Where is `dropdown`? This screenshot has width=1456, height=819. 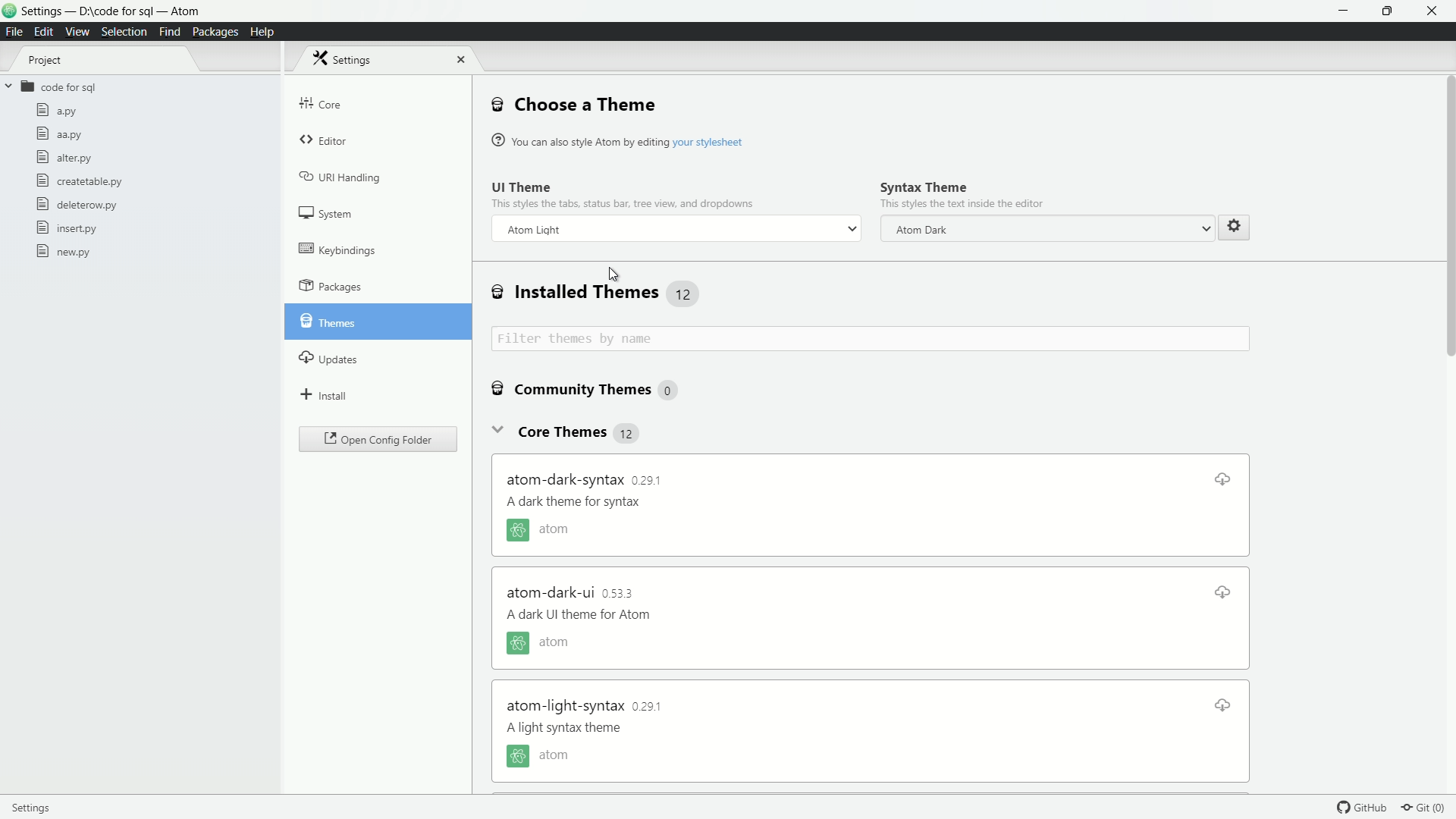 dropdown is located at coordinates (1205, 228).